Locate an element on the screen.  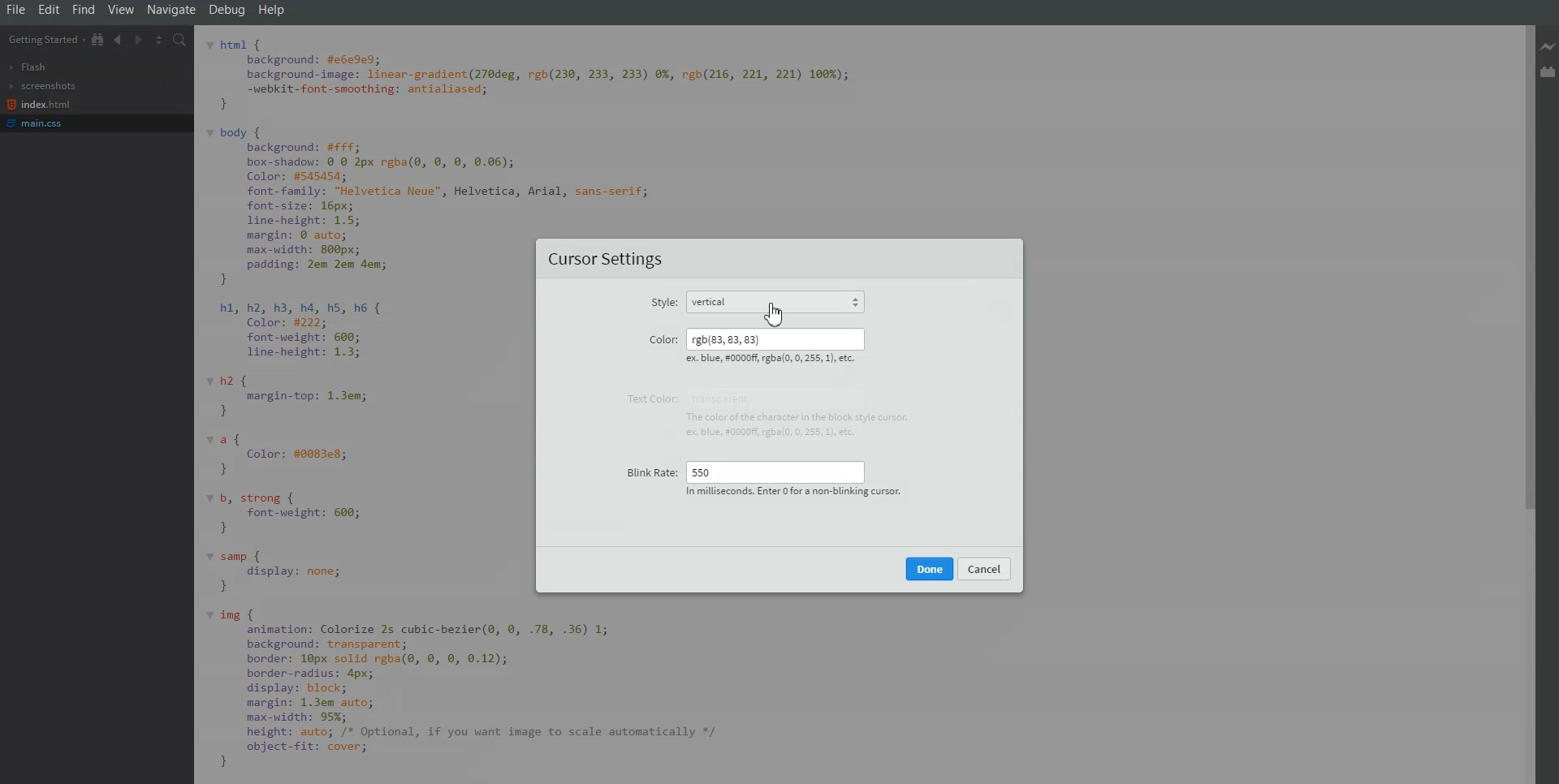
In milliseconds. Enter 0 for a non-blinking cursor. is located at coordinates (791, 493).